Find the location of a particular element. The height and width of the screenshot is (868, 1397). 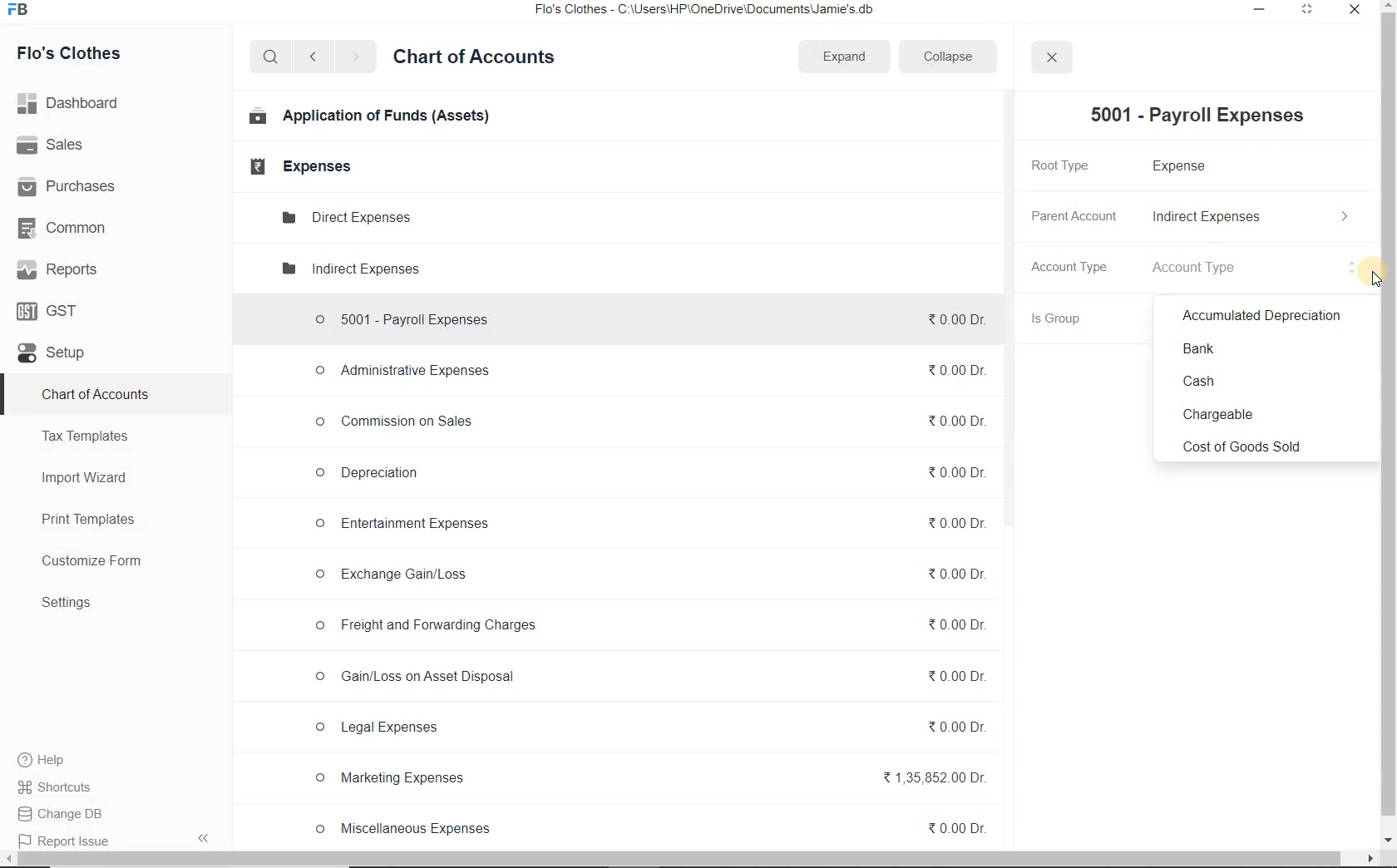

Cash is located at coordinates (1195, 382).